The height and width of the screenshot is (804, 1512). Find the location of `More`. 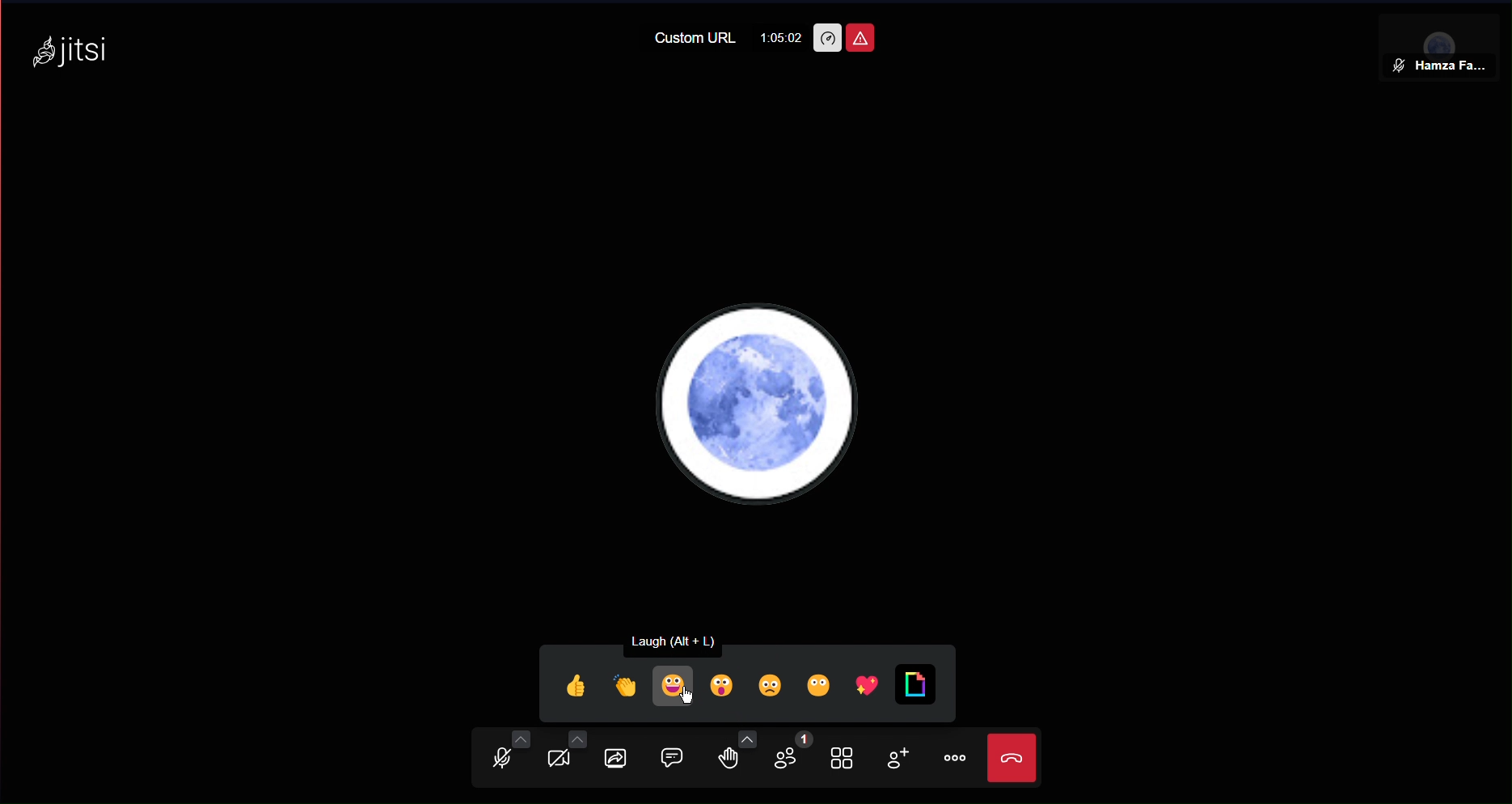

More is located at coordinates (953, 758).